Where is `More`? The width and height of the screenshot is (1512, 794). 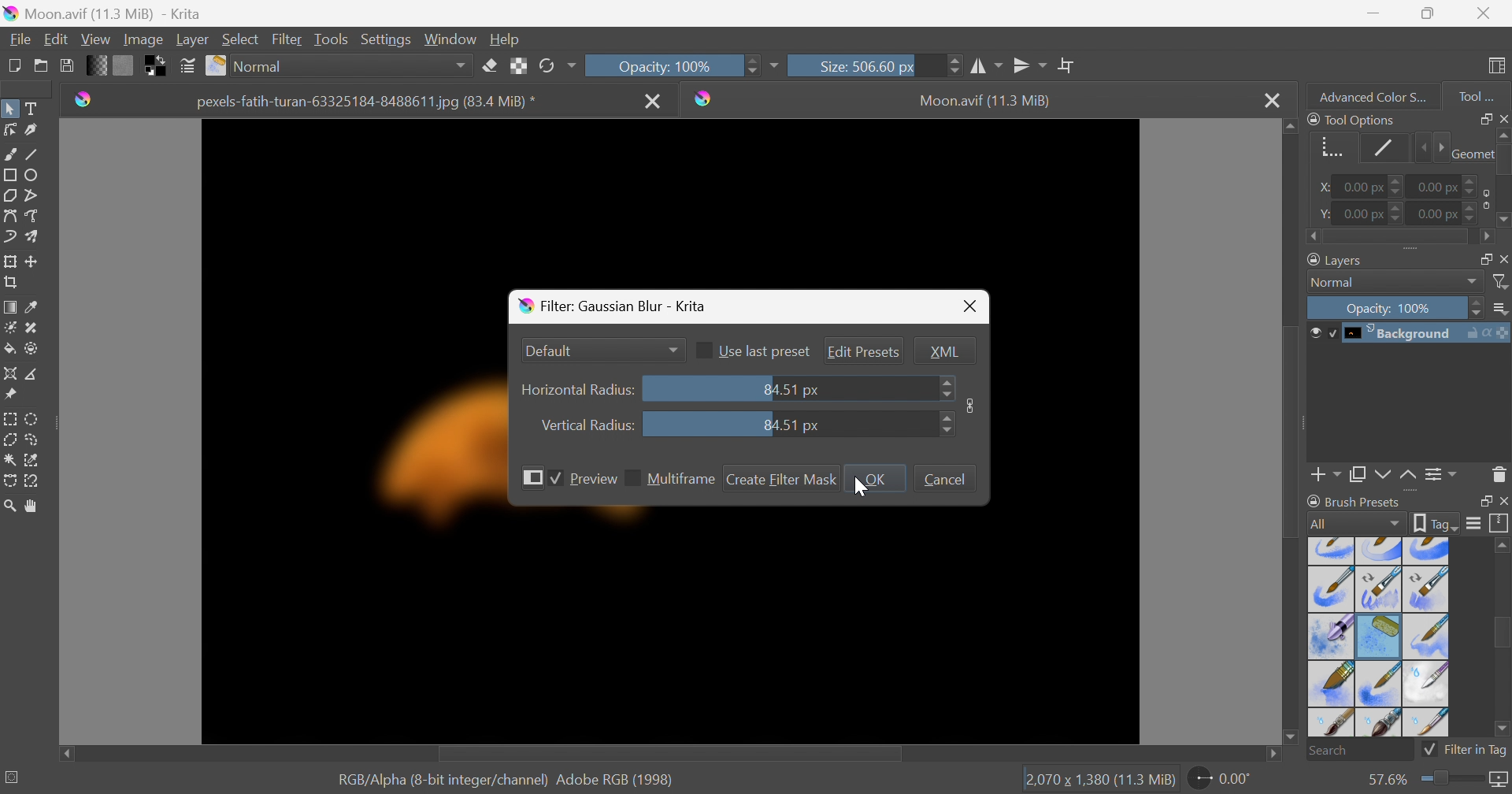
More is located at coordinates (773, 68).